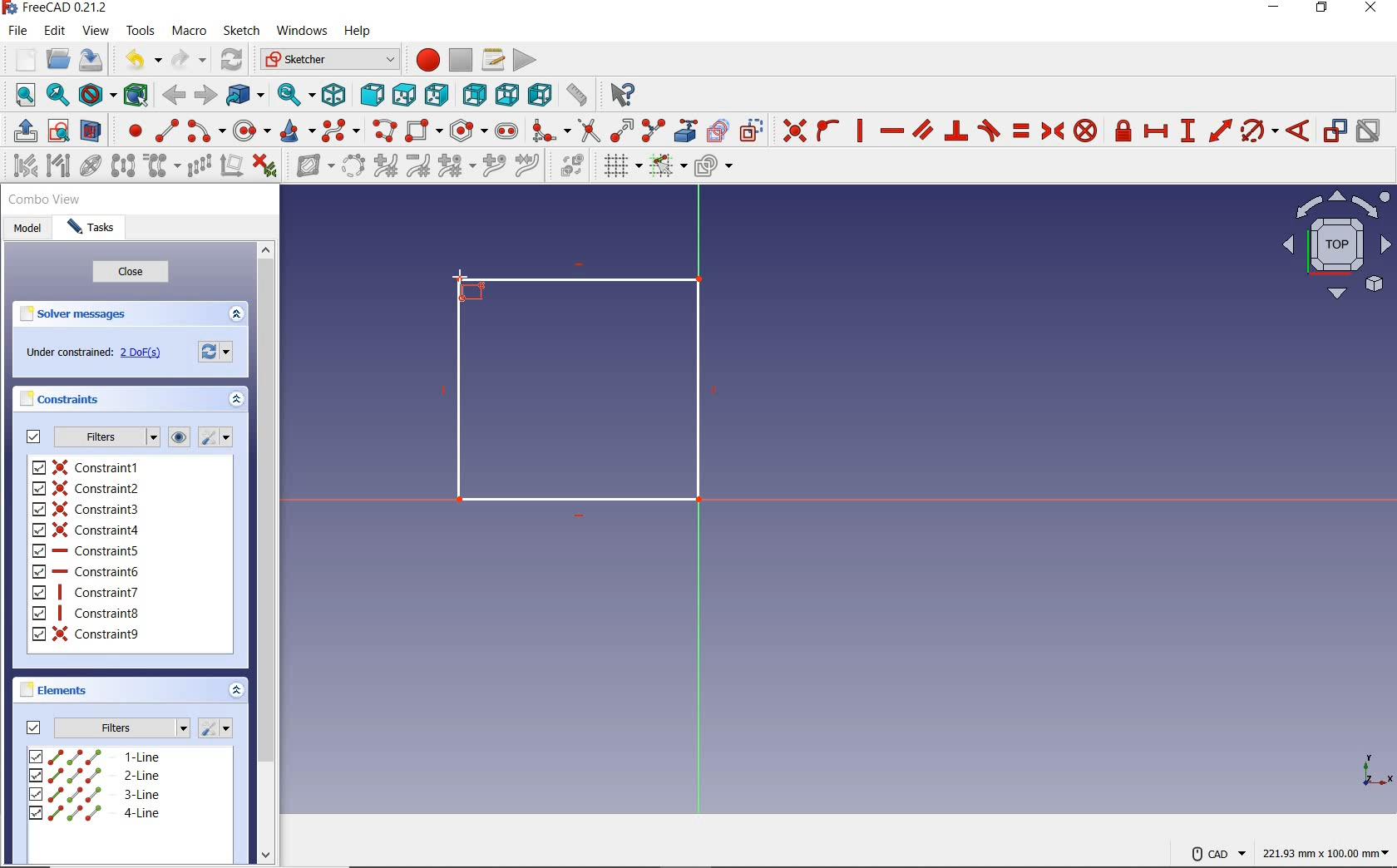 This screenshot has width=1397, height=868. Describe the element at coordinates (327, 60) in the screenshot. I see `switch between workbenches` at that location.